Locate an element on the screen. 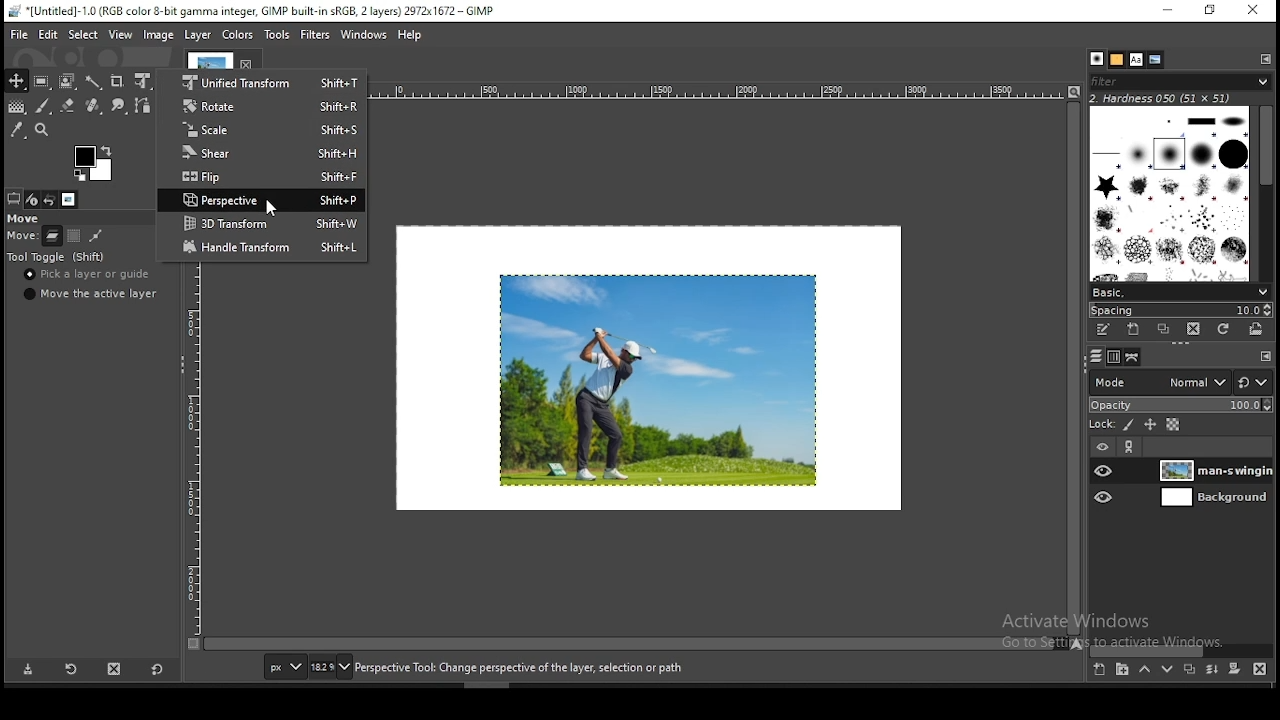  brush presets is located at coordinates (1180, 292).